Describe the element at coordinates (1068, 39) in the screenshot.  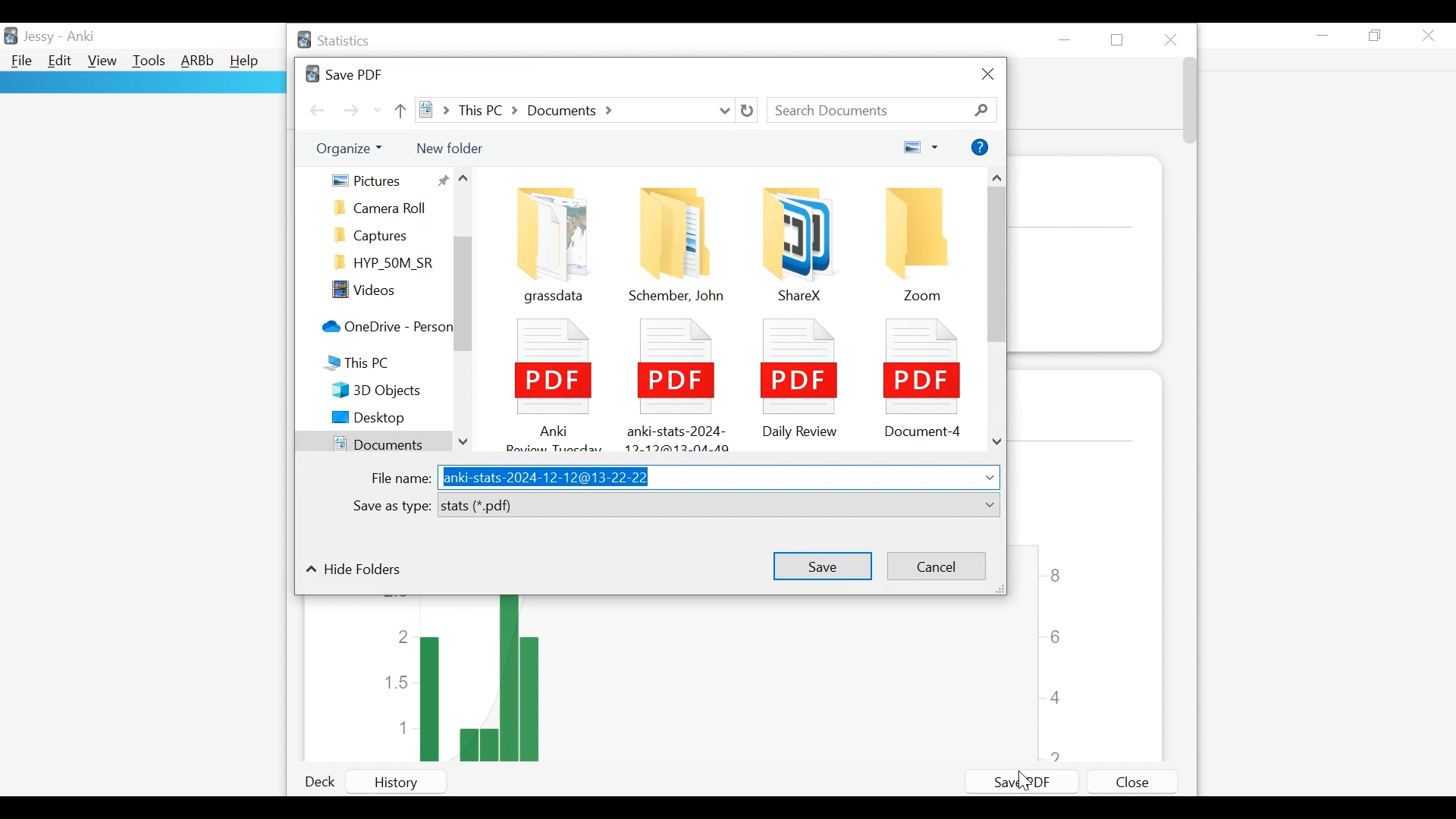
I see `Minimize` at that location.